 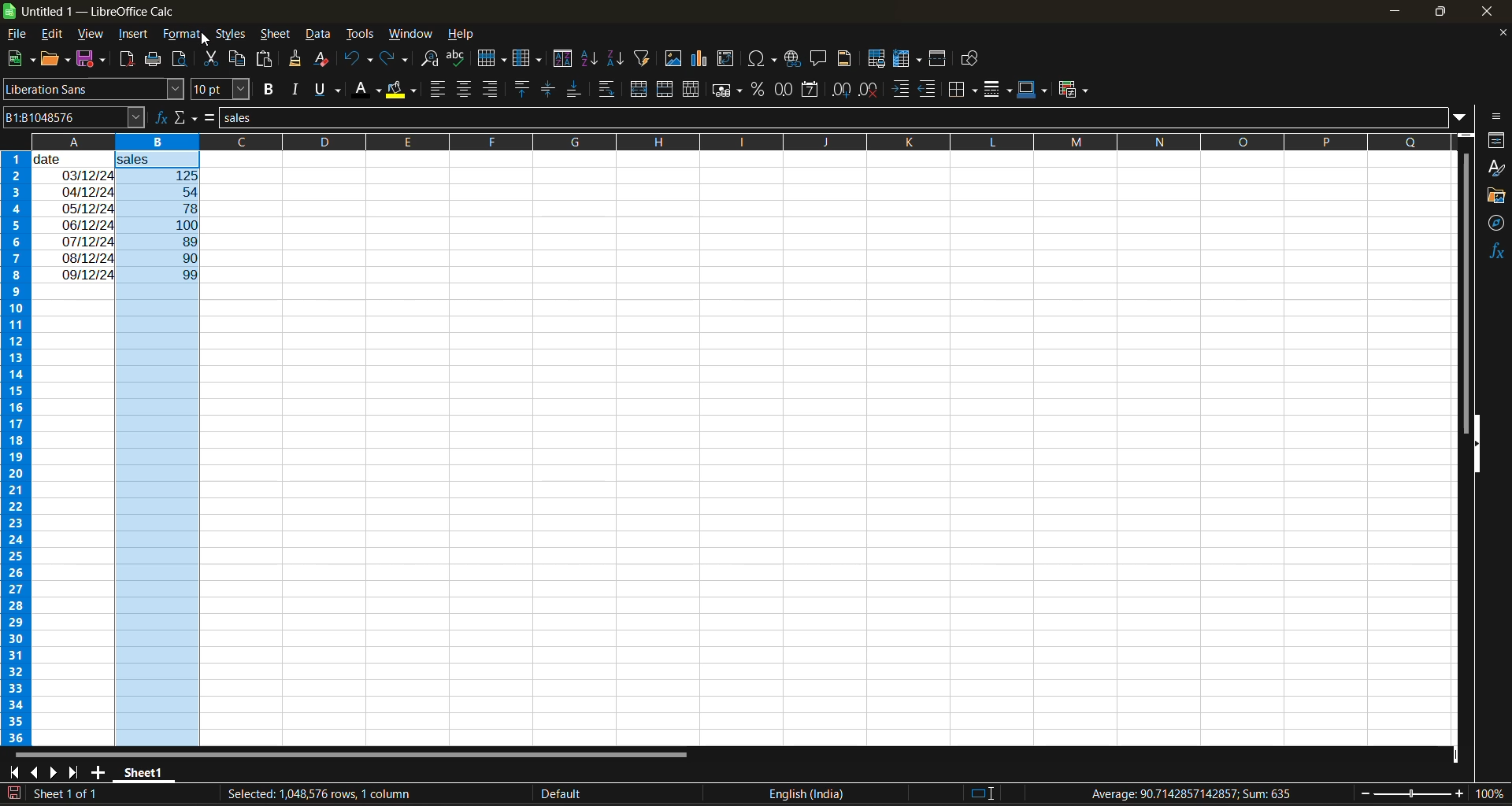 I want to click on hide sidebar settings, so click(x=1498, y=117).